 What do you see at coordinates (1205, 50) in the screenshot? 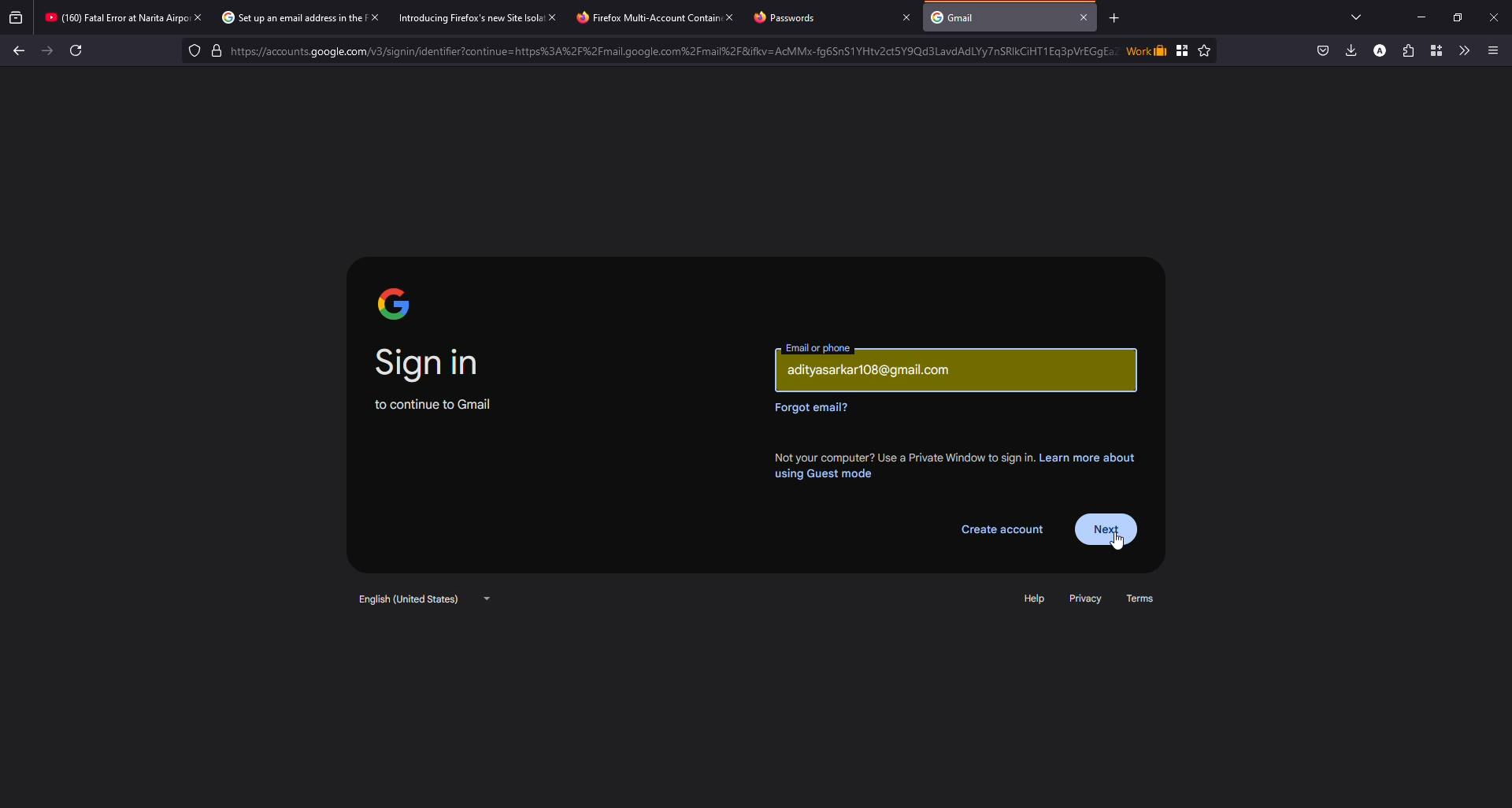
I see `Favorite` at bounding box center [1205, 50].